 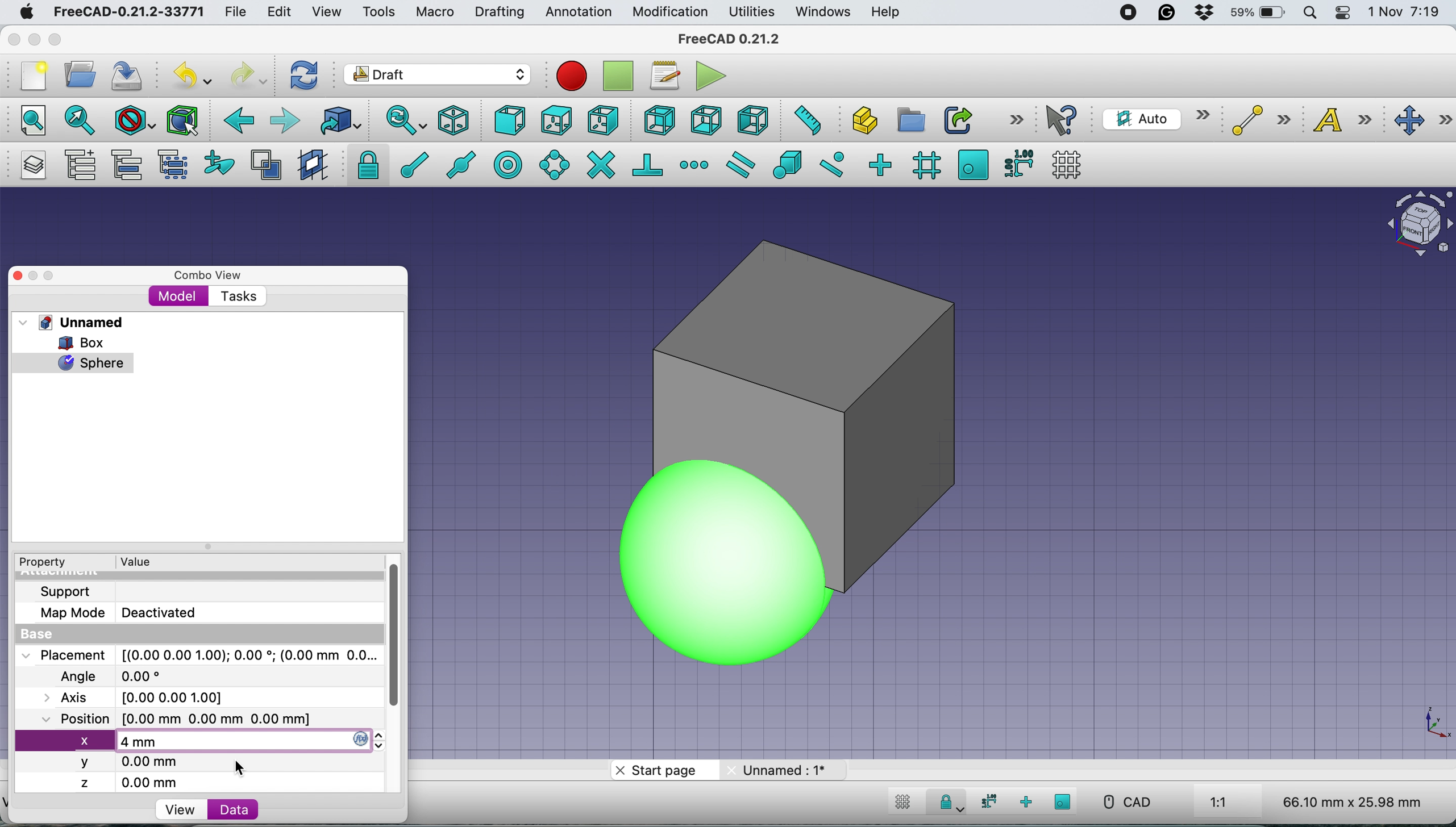 I want to click on freecad, so click(x=738, y=39).